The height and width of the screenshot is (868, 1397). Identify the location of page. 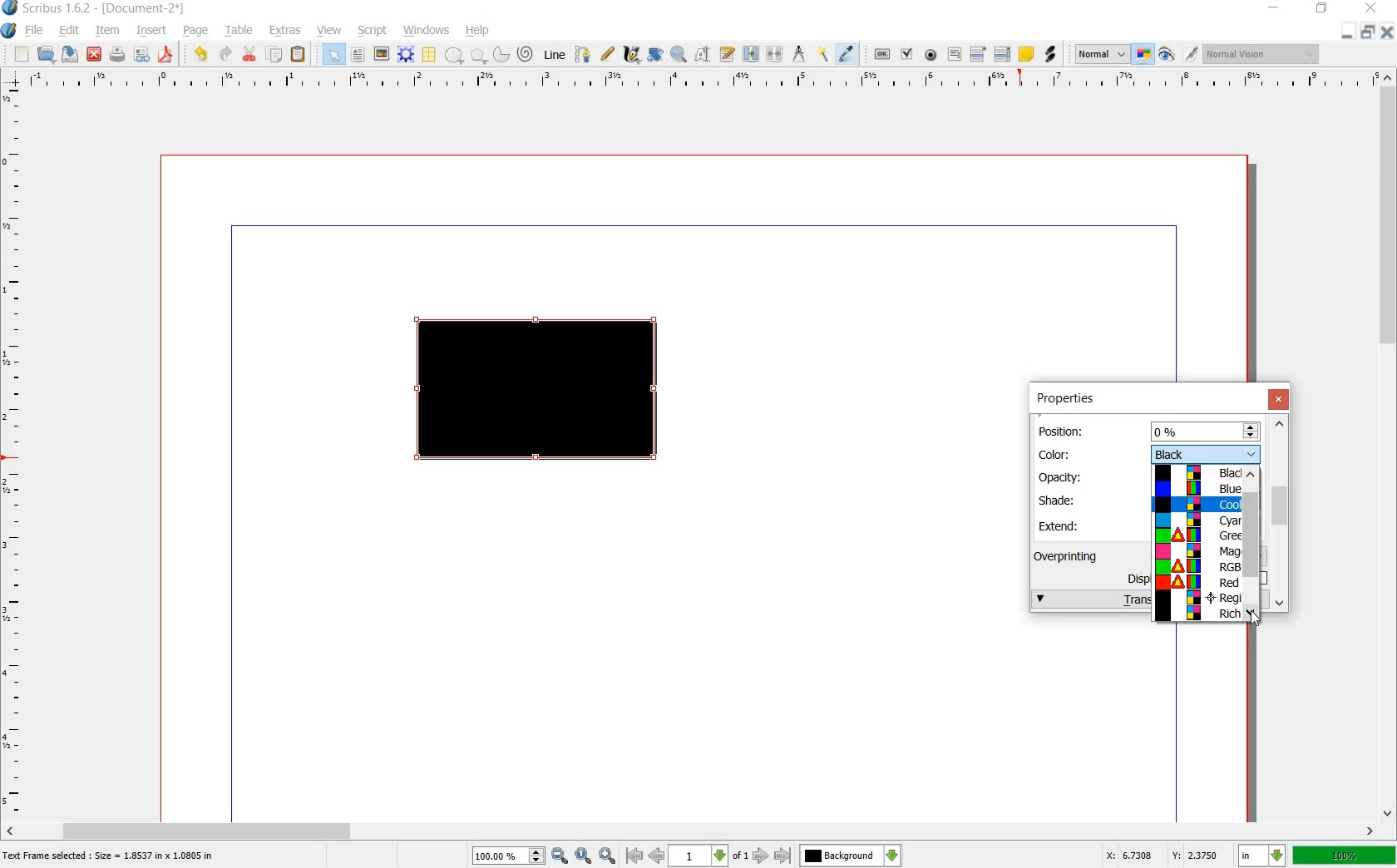
(196, 32).